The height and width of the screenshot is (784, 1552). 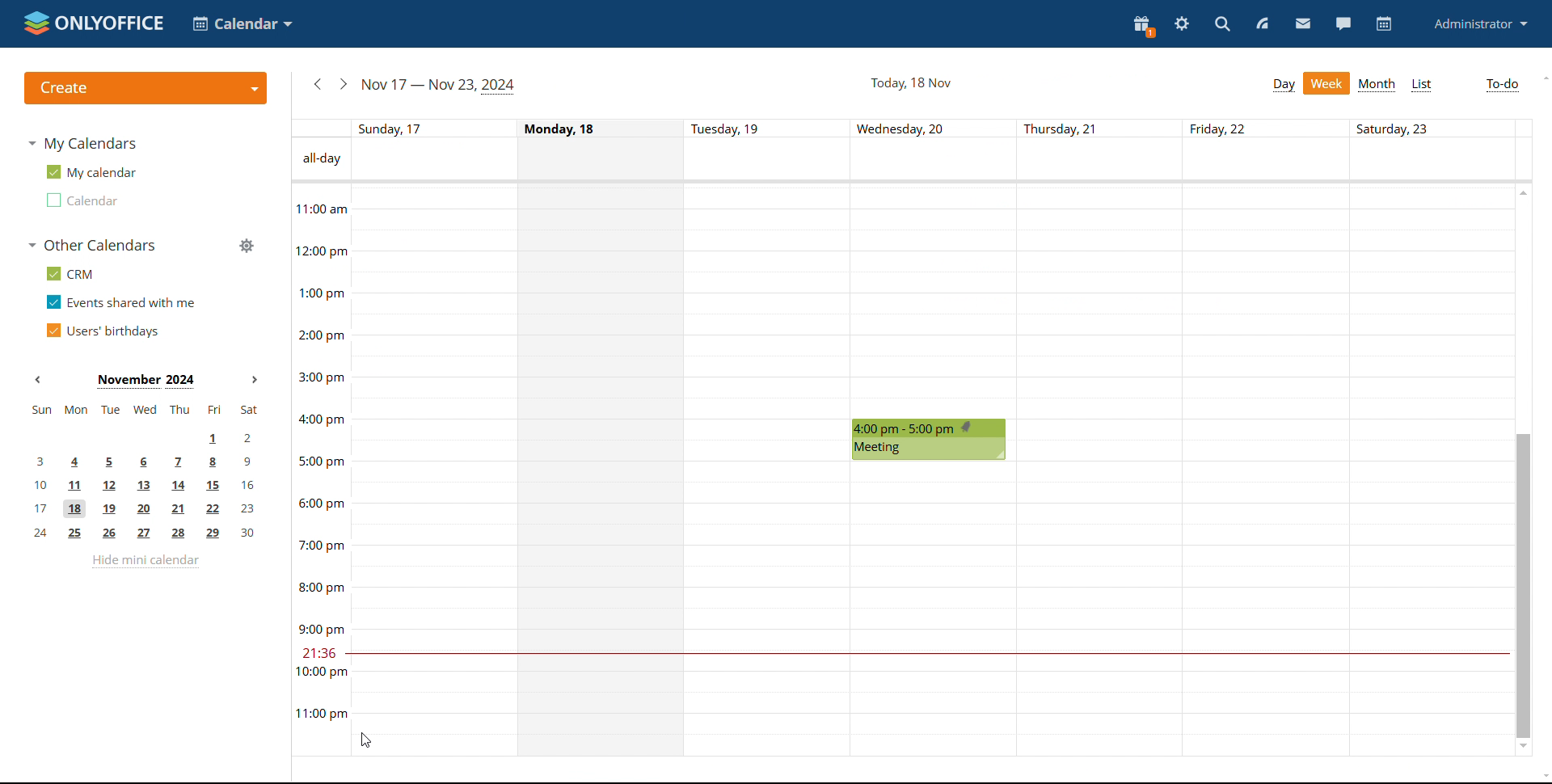 What do you see at coordinates (121, 301) in the screenshot?
I see `events shared with me` at bounding box center [121, 301].